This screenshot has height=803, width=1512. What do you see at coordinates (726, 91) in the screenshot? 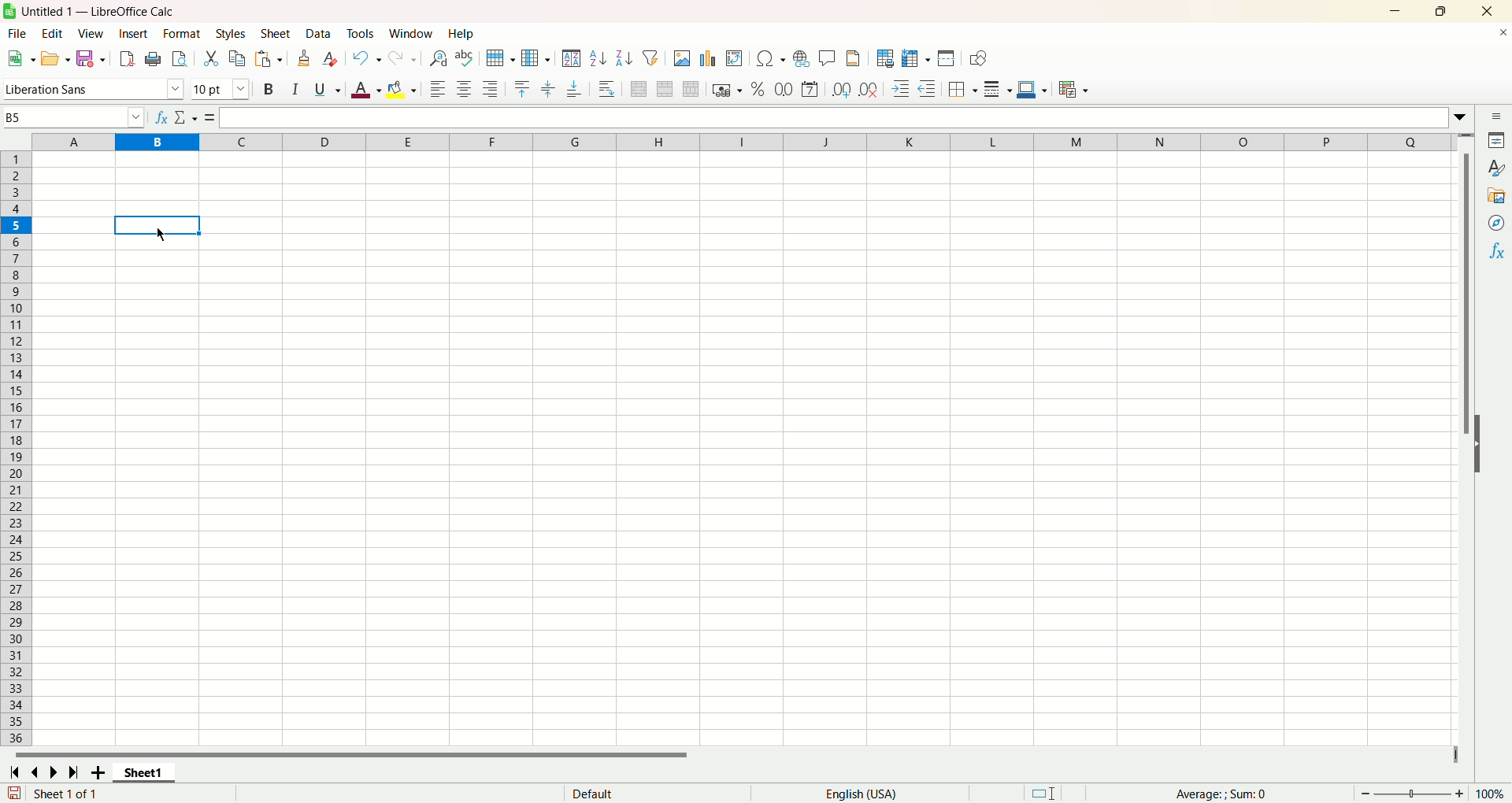
I see `format as currency` at bounding box center [726, 91].